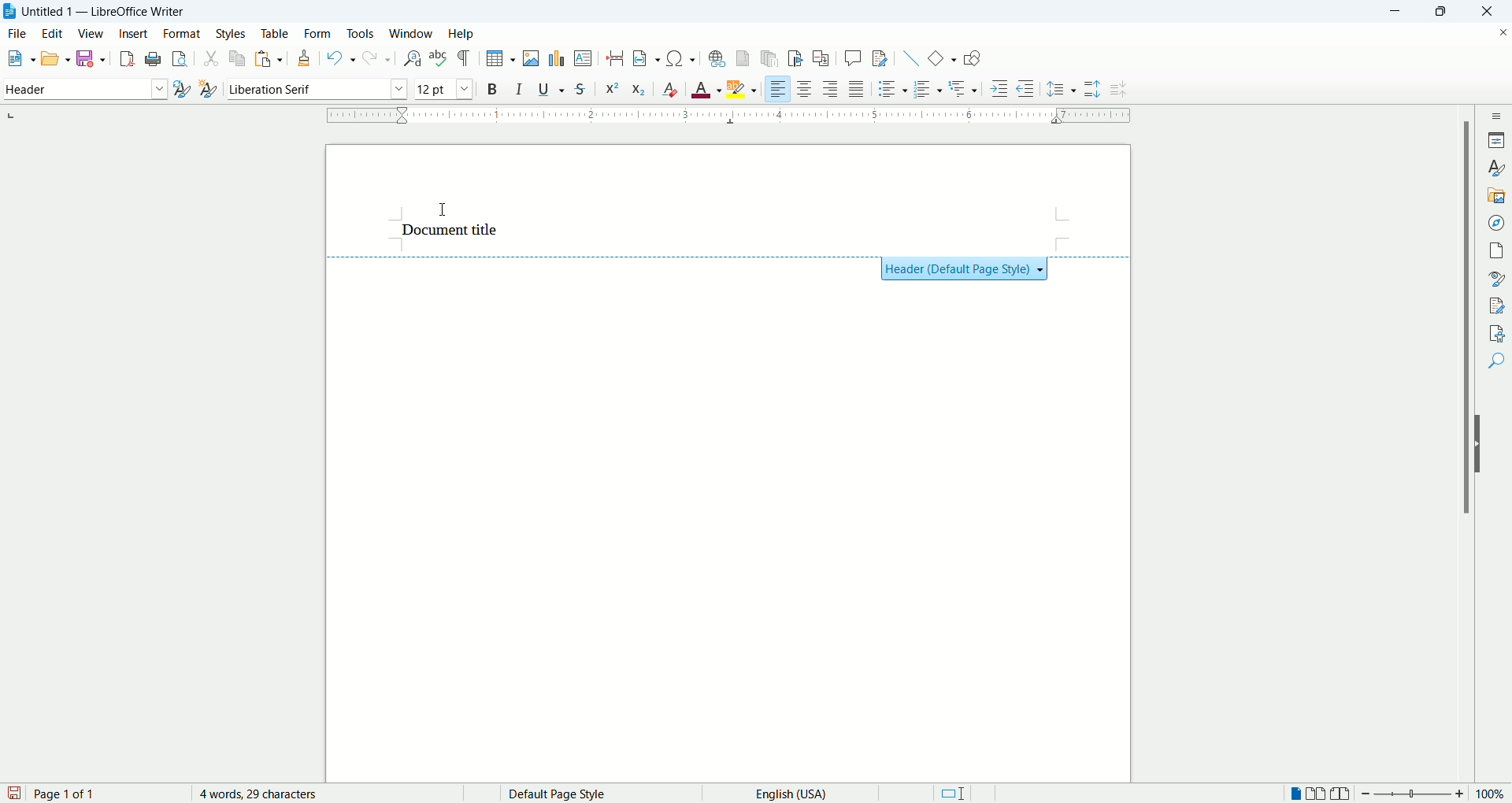  I want to click on tools, so click(361, 34).